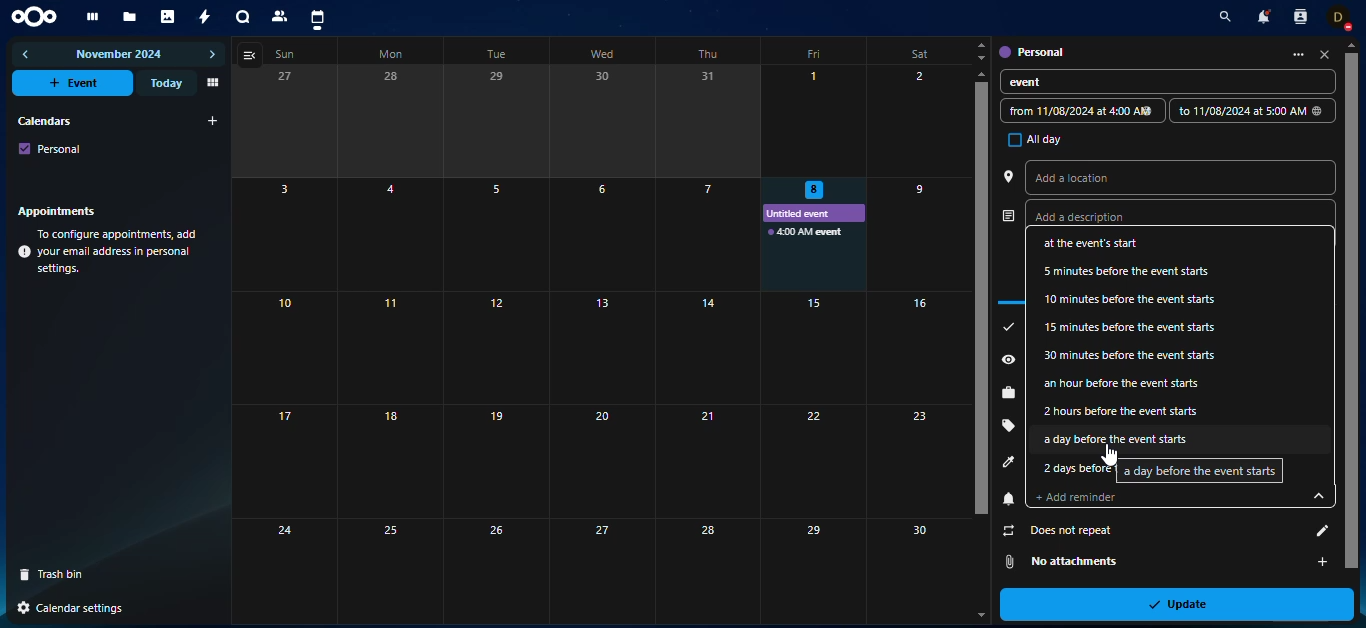 This screenshot has height=628, width=1366. What do you see at coordinates (1096, 219) in the screenshot?
I see `description` at bounding box center [1096, 219].